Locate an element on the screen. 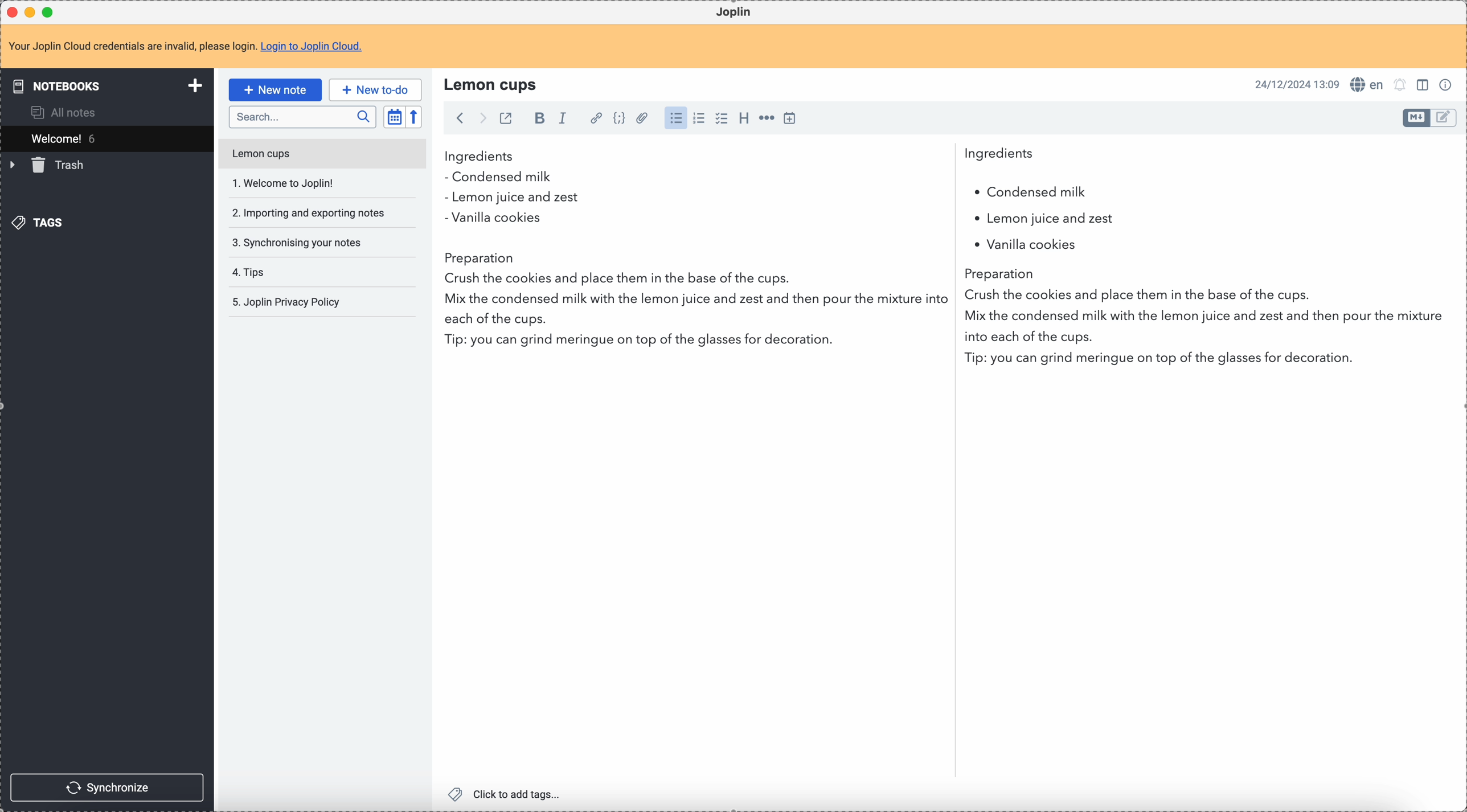 The image size is (1467, 812). tags is located at coordinates (40, 222).